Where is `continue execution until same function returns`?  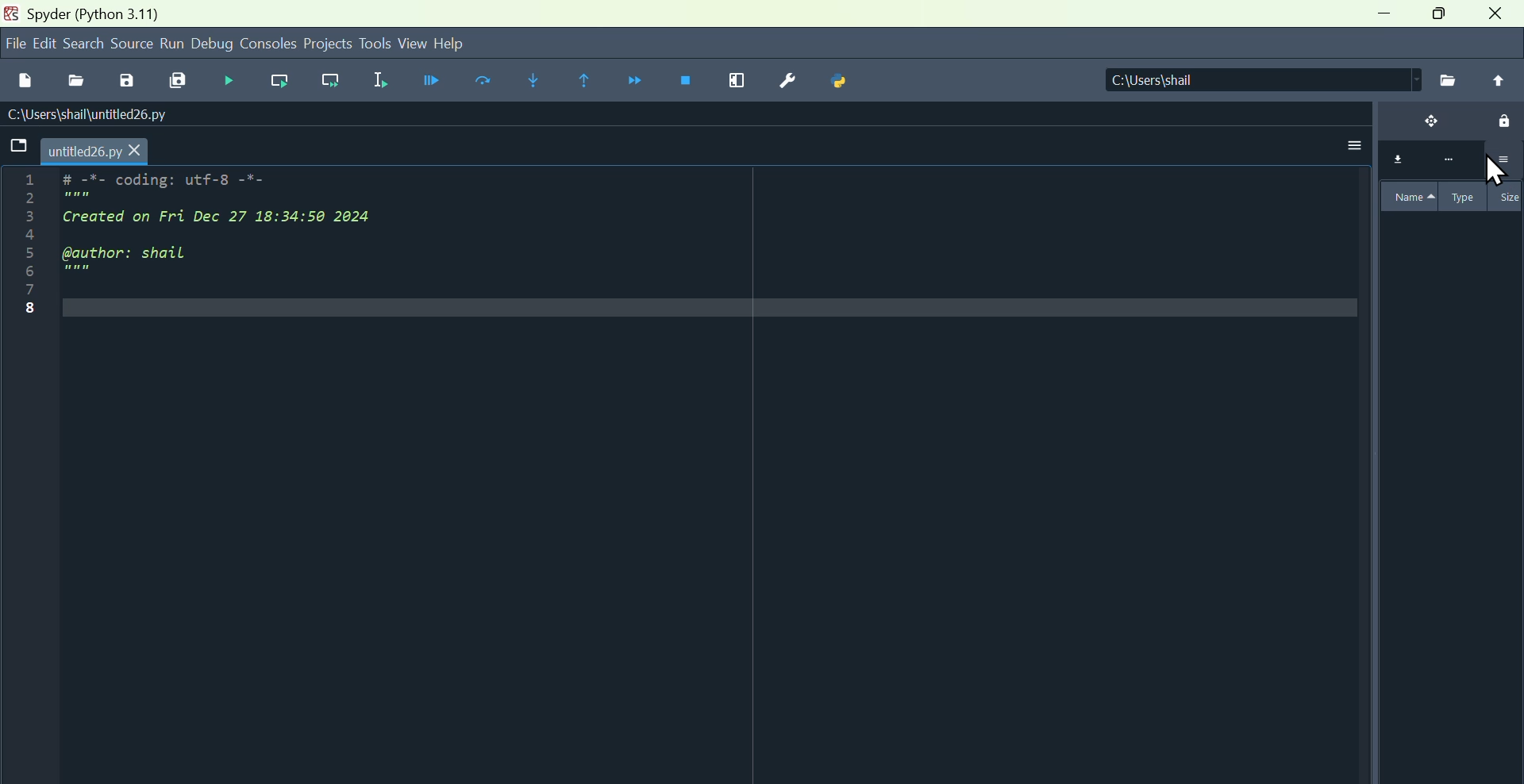
continue execution until same function returns is located at coordinates (587, 79).